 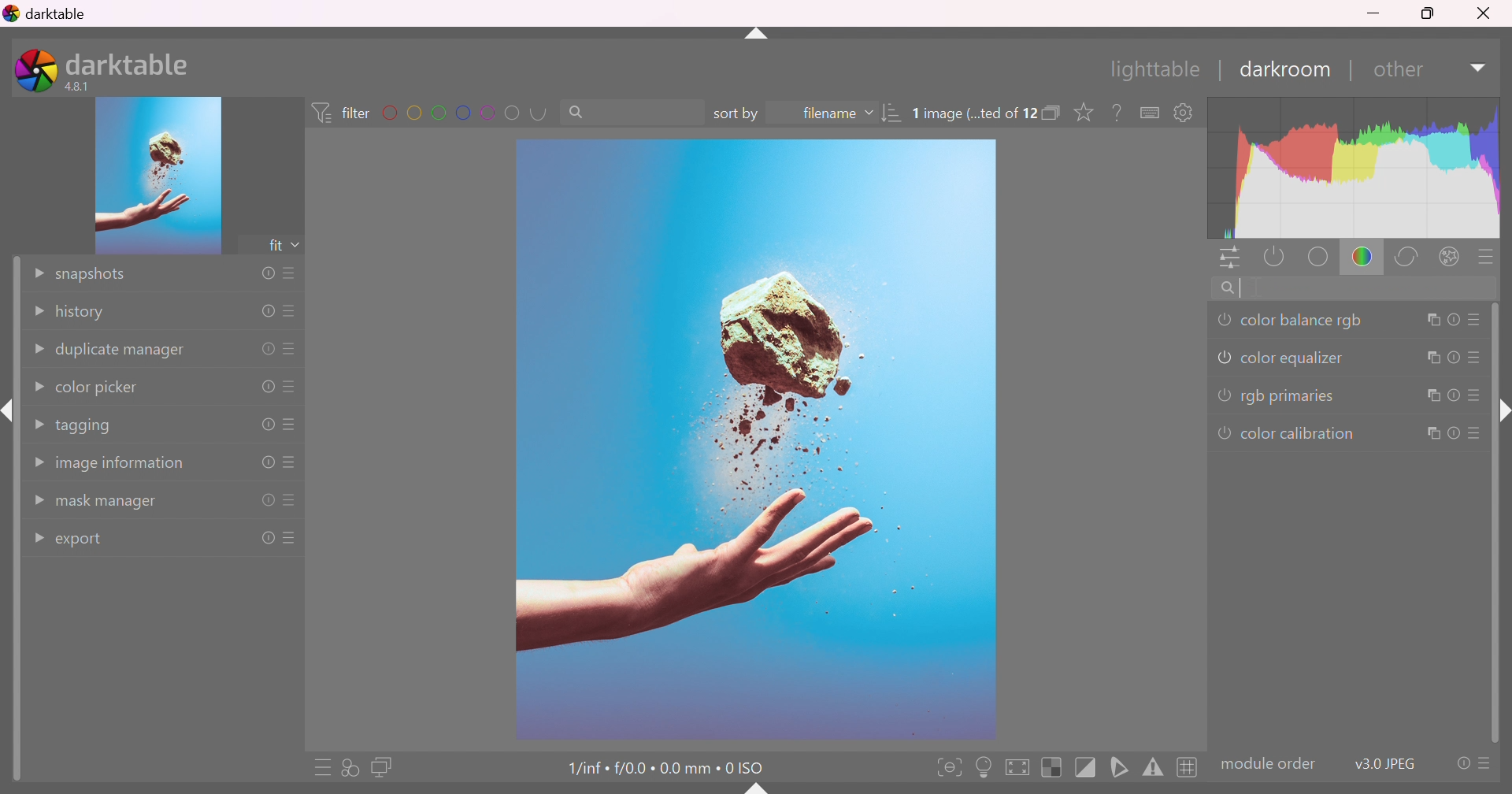 What do you see at coordinates (1487, 14) in the screenshot?
I see `Close` at bounding box center [1487, 14].